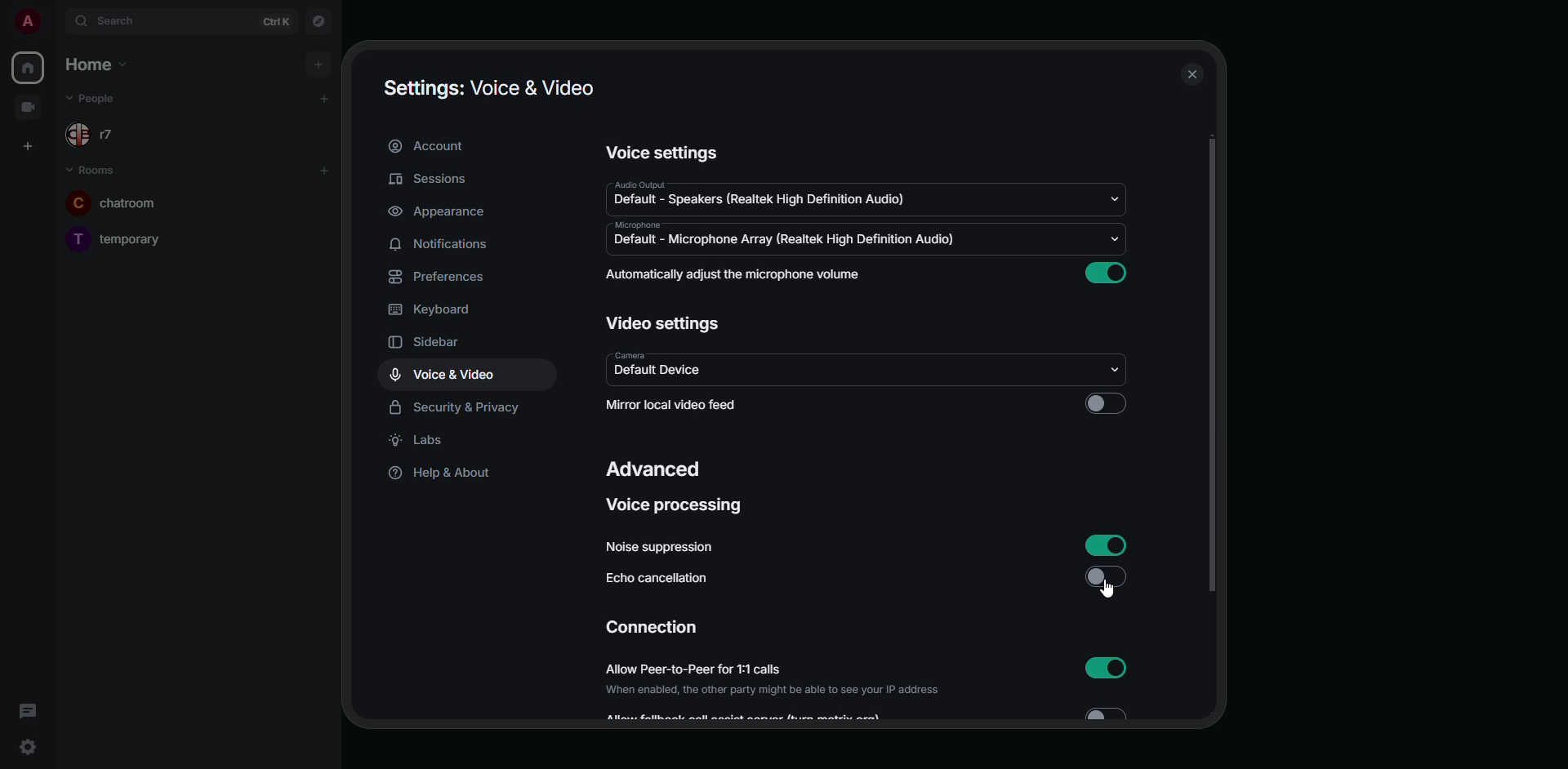 This screenshot has width=1568, height=769. Describe the element at coordinates (657, 547) in the screenshot. I see `noise suppression` at that location.